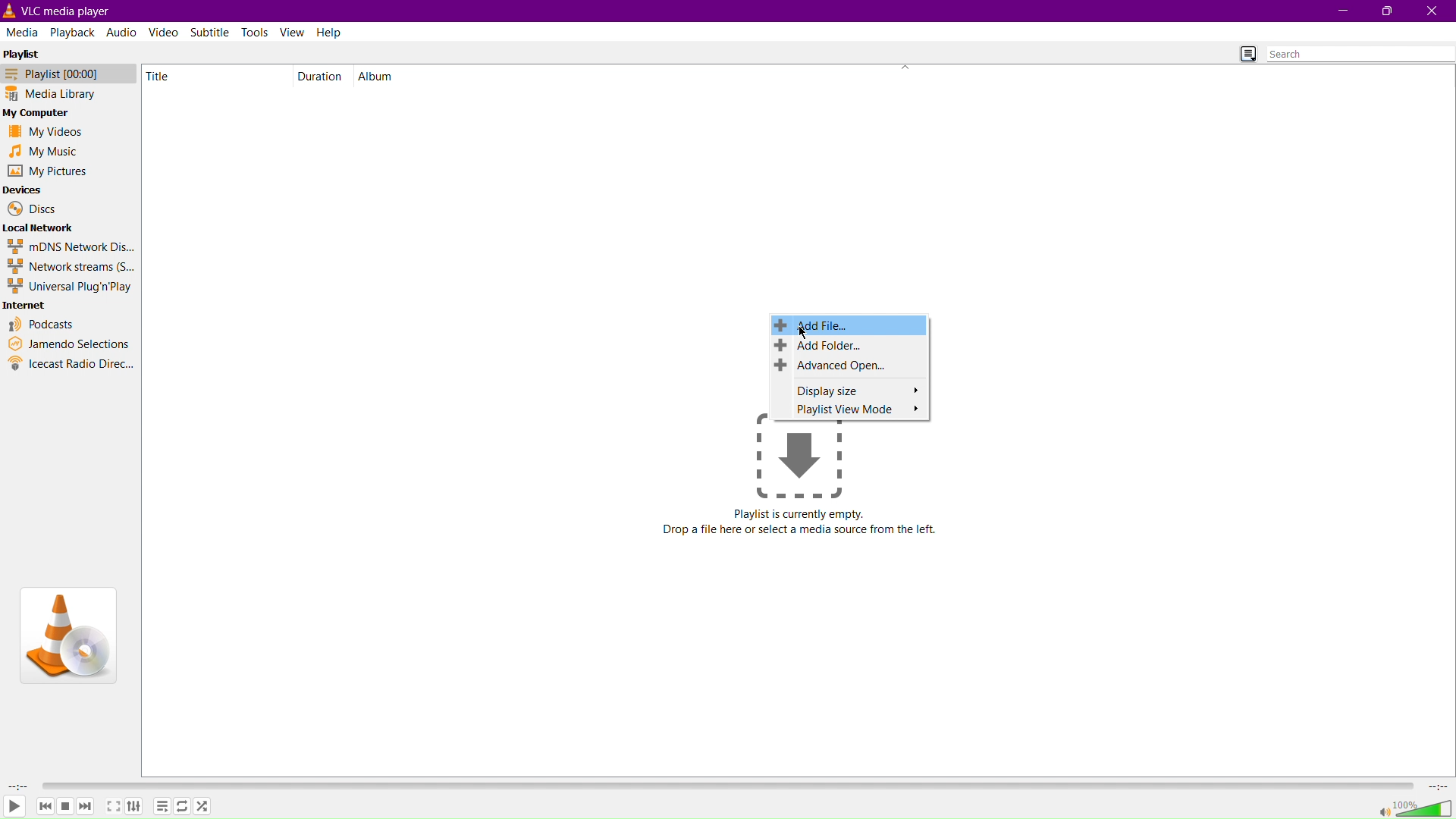 This screenshot has width=1456, height=819. Describe the element at coordinates (850, 409) in the screenshot. I see `Playlist View Mode` at that location.